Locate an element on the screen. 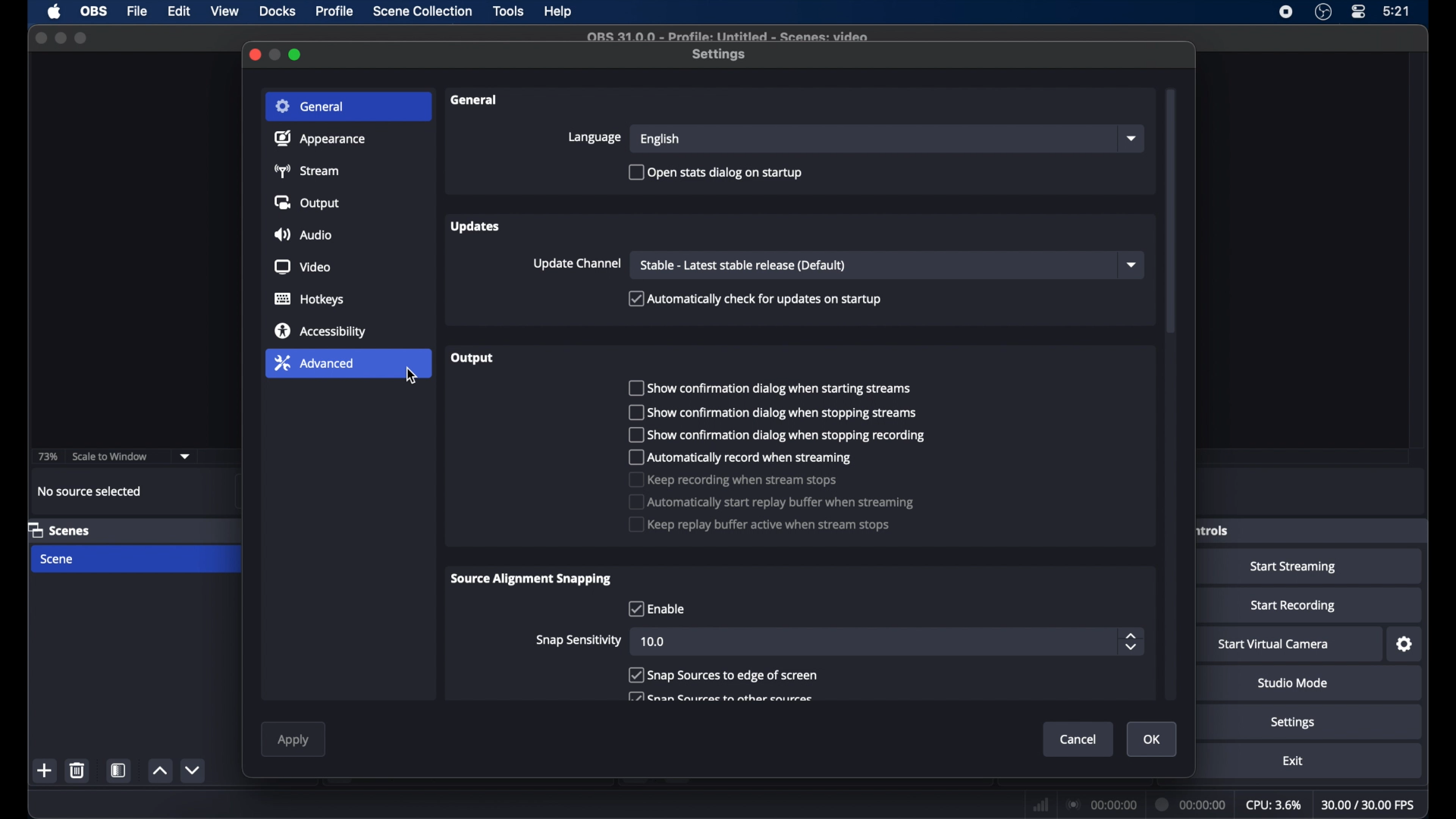  start recording is located at coordinates (1292, 607).